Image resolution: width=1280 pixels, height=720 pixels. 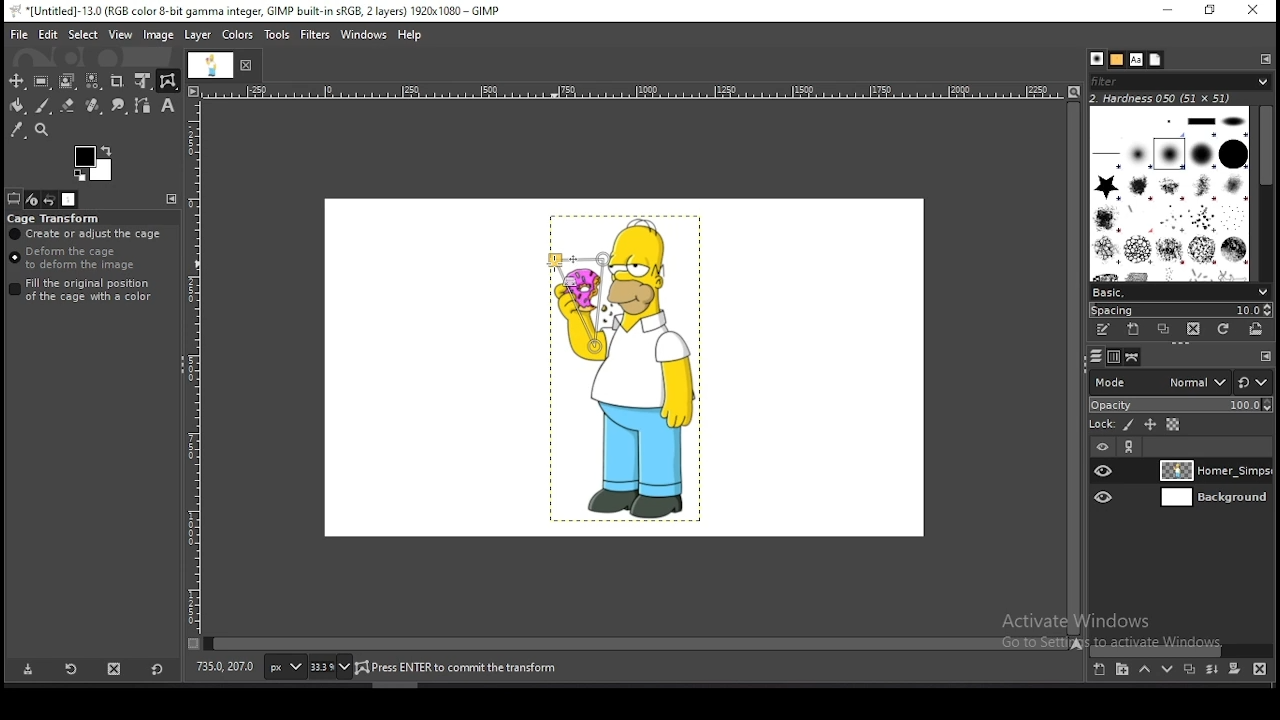 What do you see at coordinates (17, 129) in the screenshot?
I see `color picker tool` at bounding box center [17, 129].